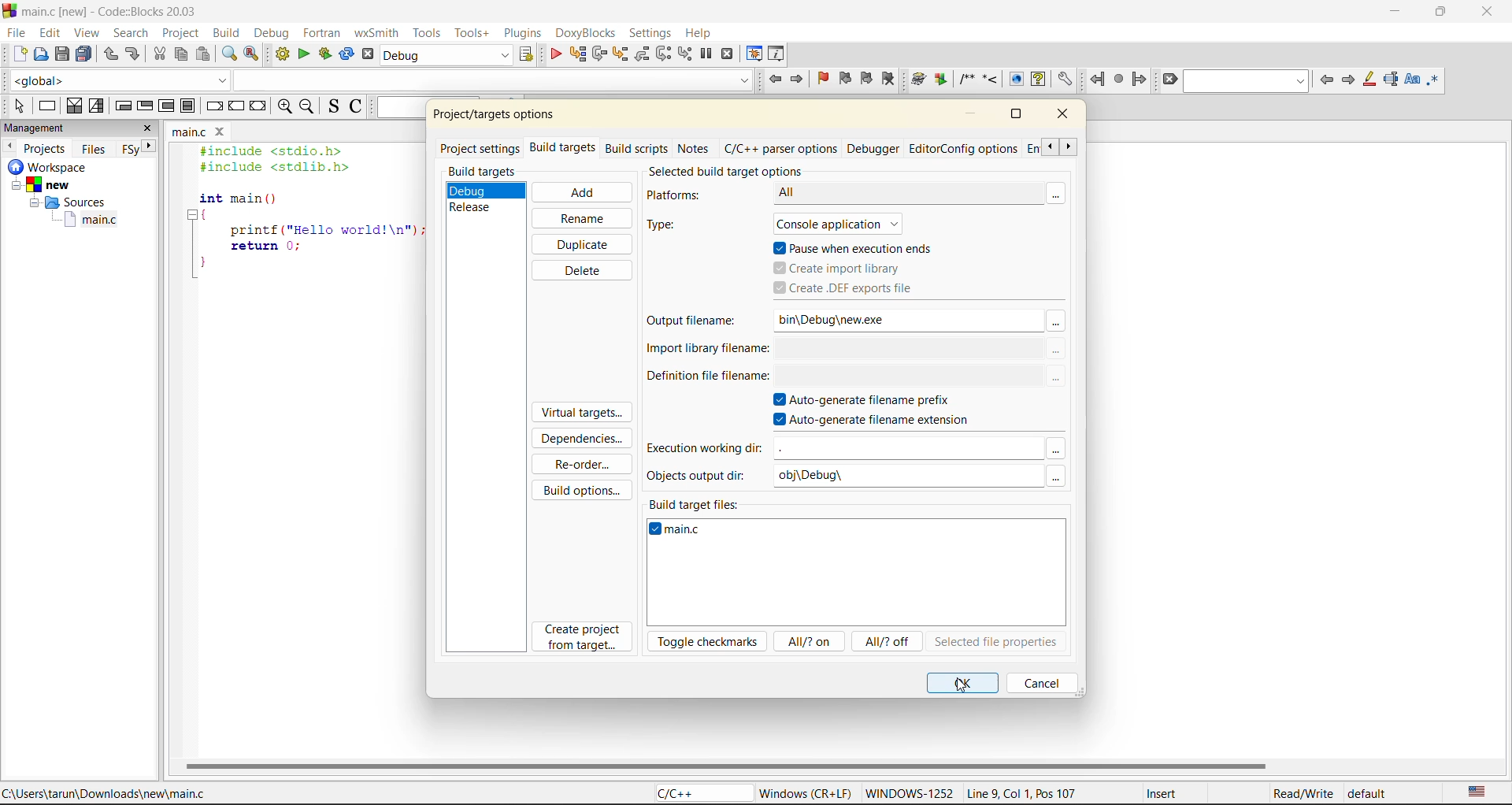  What do you see at coordinates (110, 793) in the screenshot?
I see `C:\Users\tarun\Downloads\new\main.c` at bounding box center [110, 793].